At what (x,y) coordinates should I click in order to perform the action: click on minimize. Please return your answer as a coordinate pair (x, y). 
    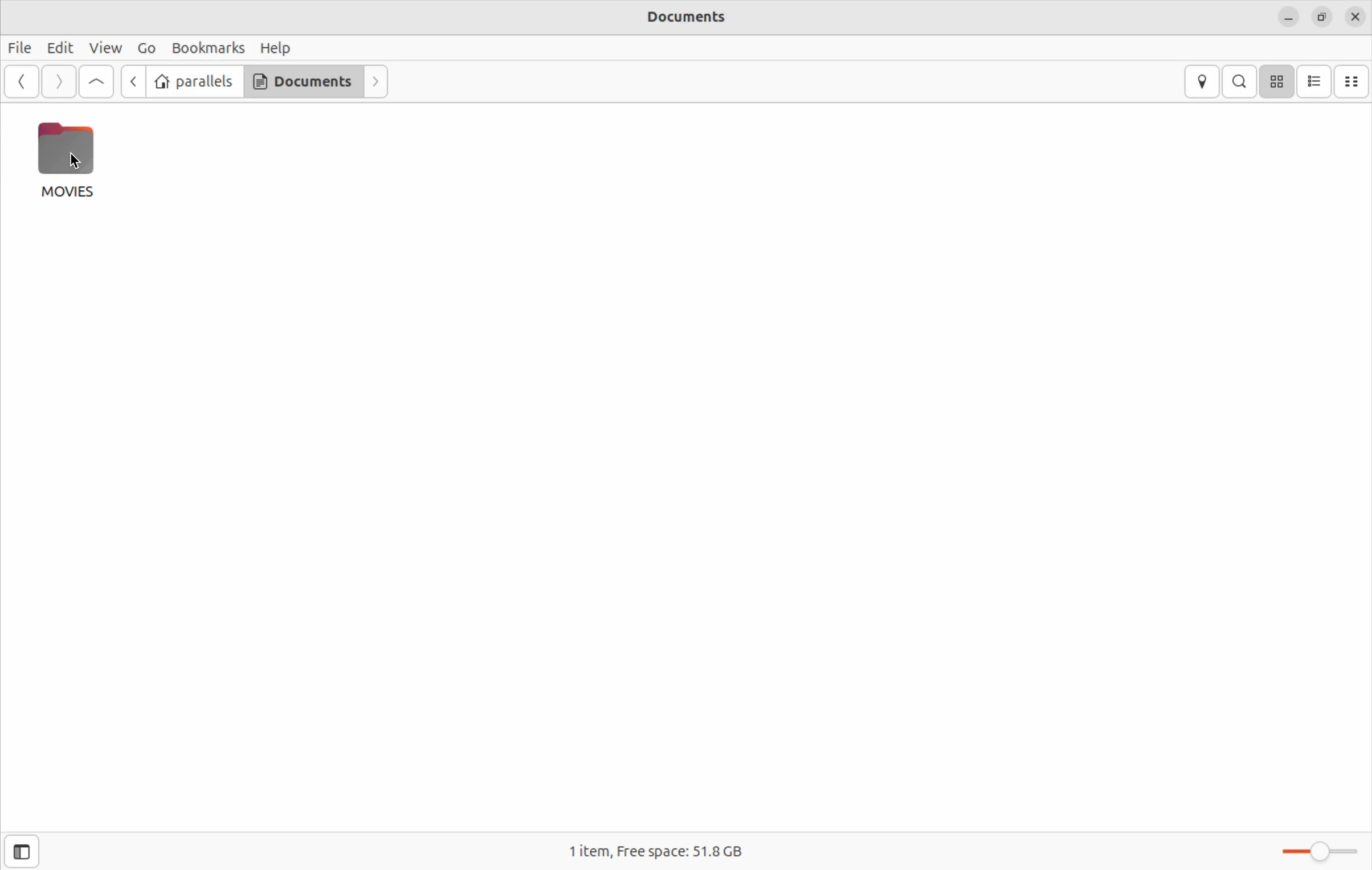
    Looking at the image, I should click on (1290, 18).